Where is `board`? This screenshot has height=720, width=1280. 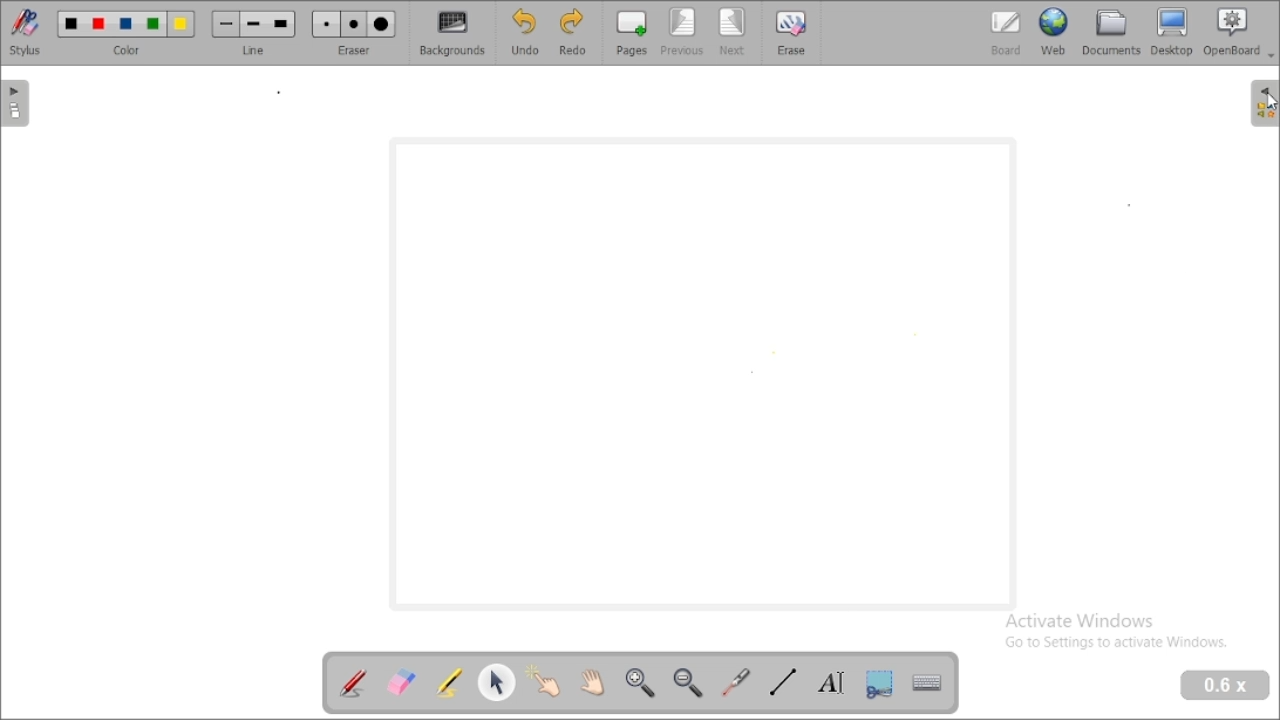
board is located at coordinates (1006, 32).